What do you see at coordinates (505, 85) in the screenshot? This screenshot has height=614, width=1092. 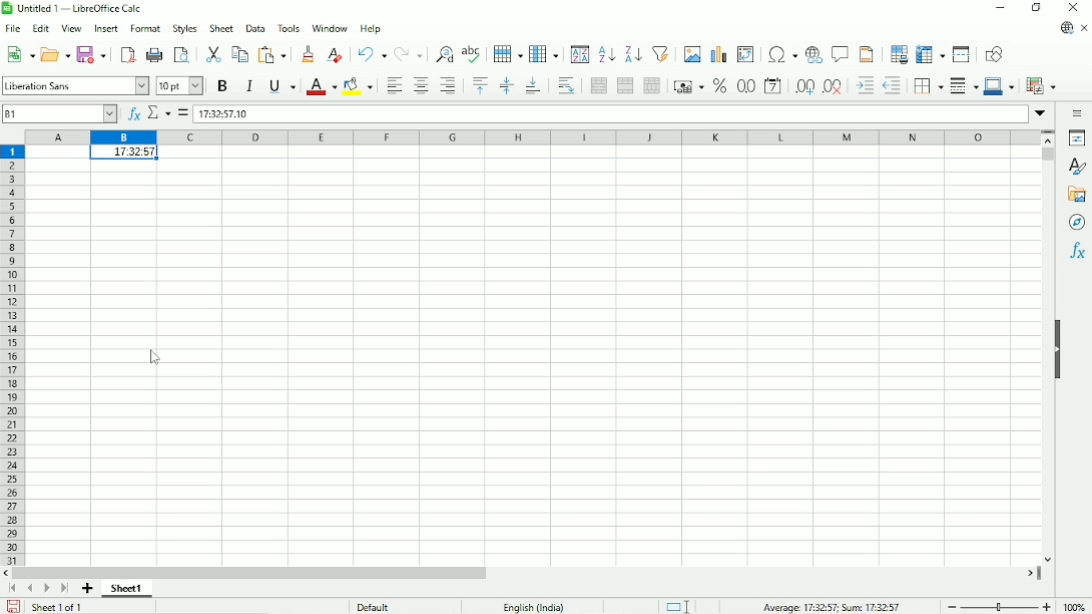 I see `Center vertically` at bounding box center [505, 85].